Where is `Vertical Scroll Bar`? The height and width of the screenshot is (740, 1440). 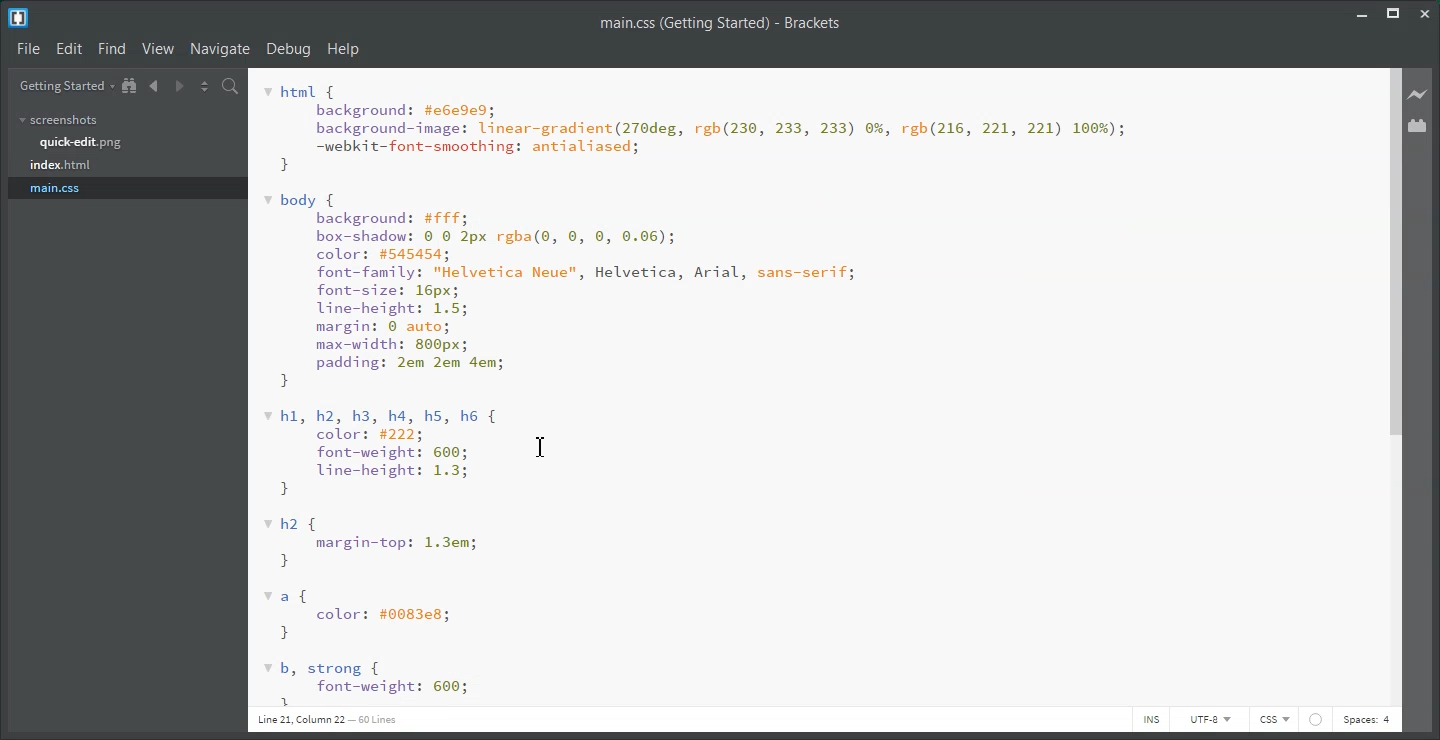 Vertical Scroll Bar is located at coordinates (1394, 386).